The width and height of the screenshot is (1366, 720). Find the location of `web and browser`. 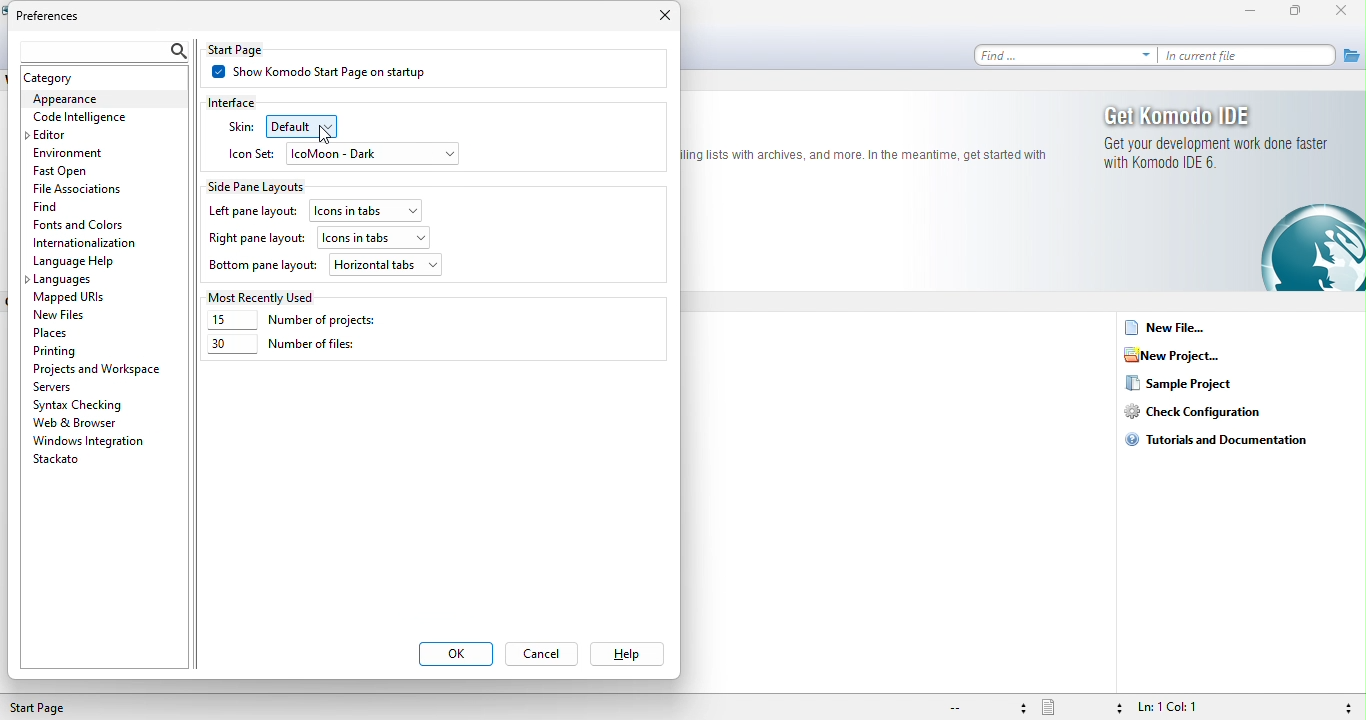

web and browser is located at coordinates (91, 422).